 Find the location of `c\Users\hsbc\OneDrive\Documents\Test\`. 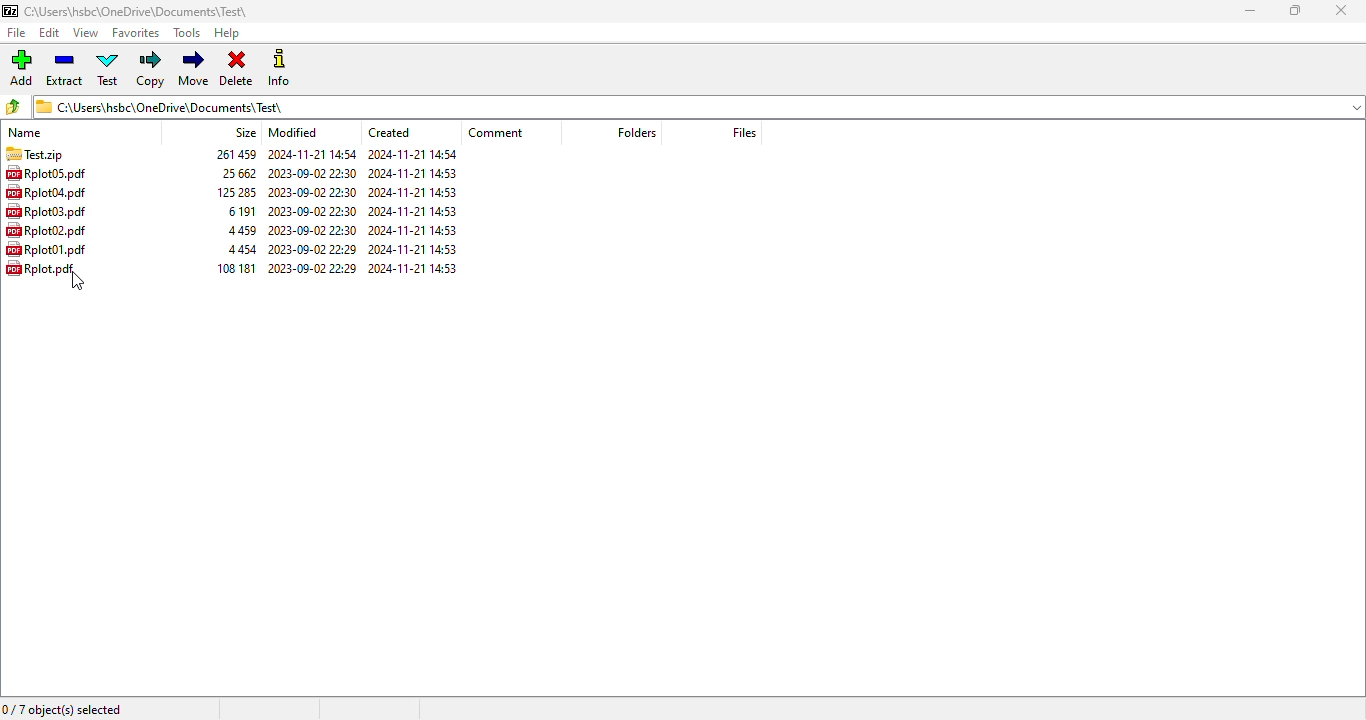

c\Users\hsbc\OneDrive\Documents\Test\ is located at coordinates (140, 11).